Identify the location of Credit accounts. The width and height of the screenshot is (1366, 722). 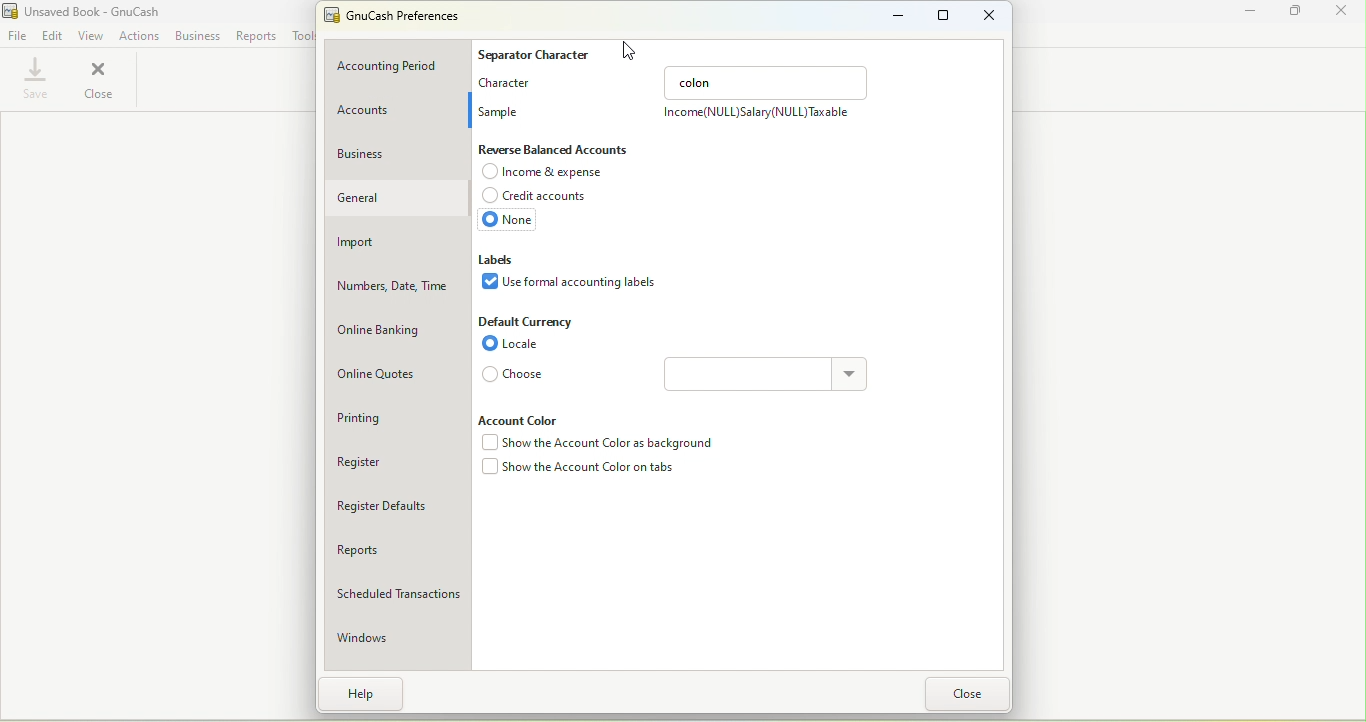
(539, 195).